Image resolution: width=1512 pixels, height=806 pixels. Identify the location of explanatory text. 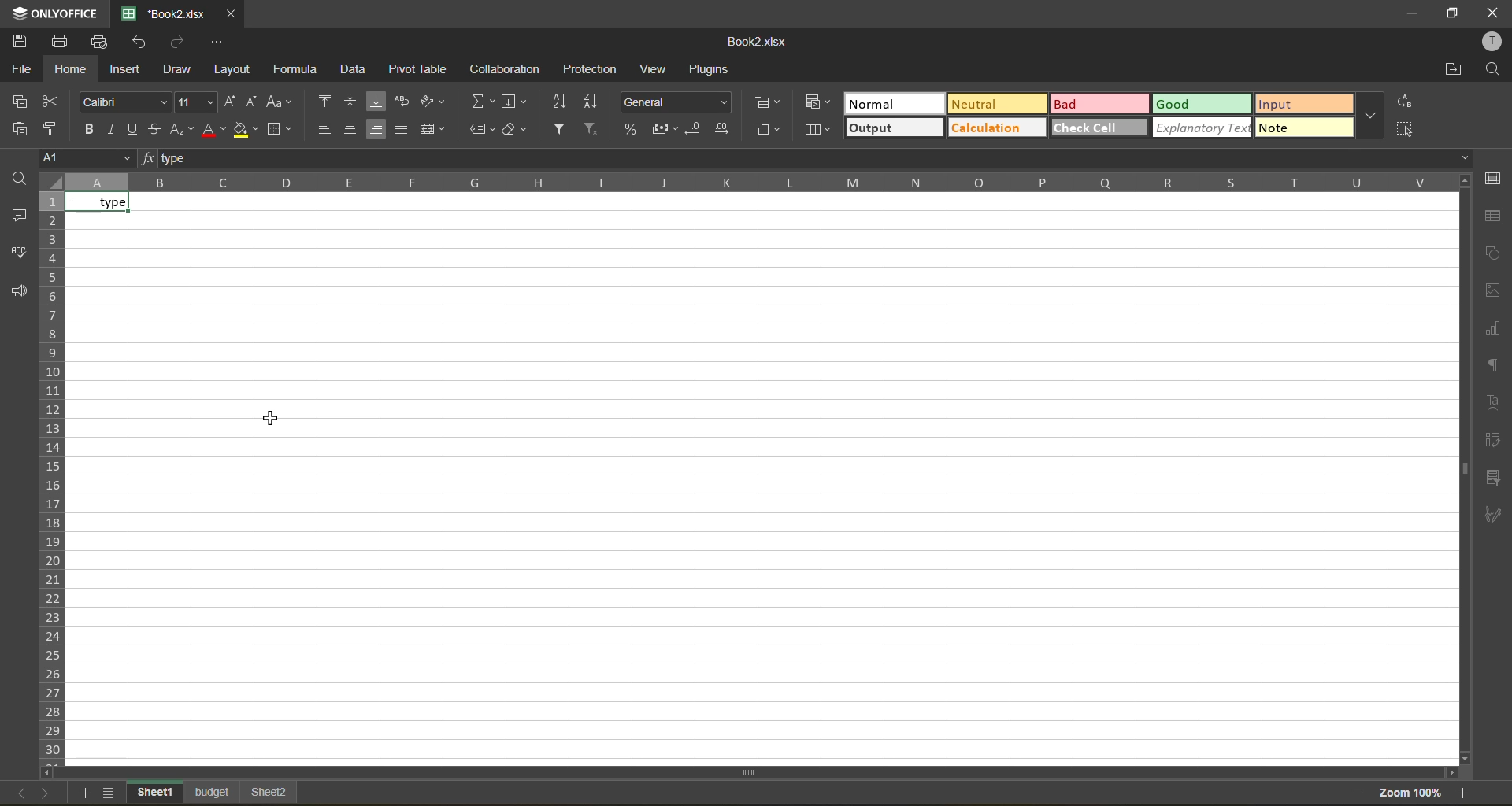
(1200, 128).